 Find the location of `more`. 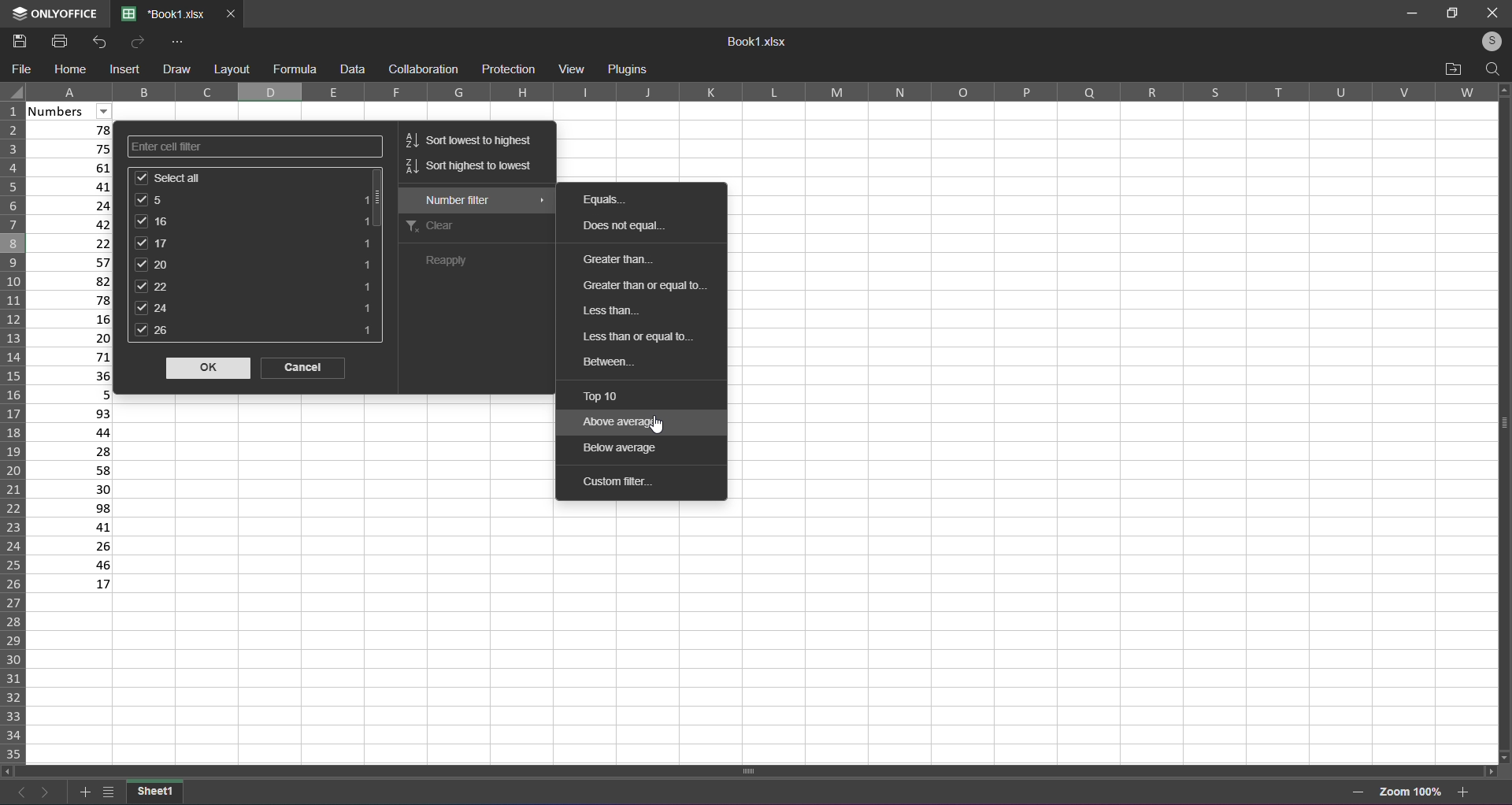

more is located at coordinates (179, 41).